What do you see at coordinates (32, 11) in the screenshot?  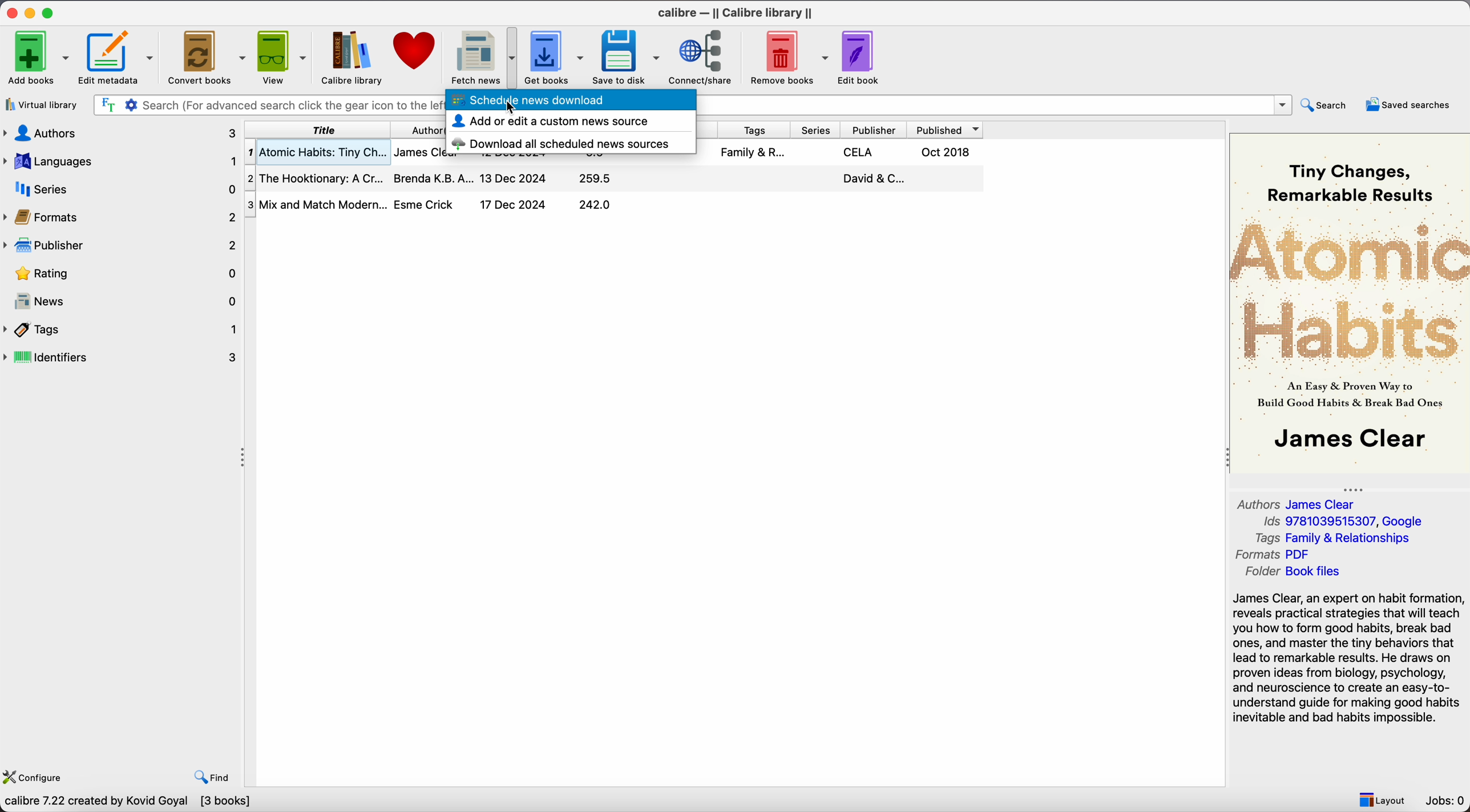 I see `minimize` at bounding box center [32, 11].